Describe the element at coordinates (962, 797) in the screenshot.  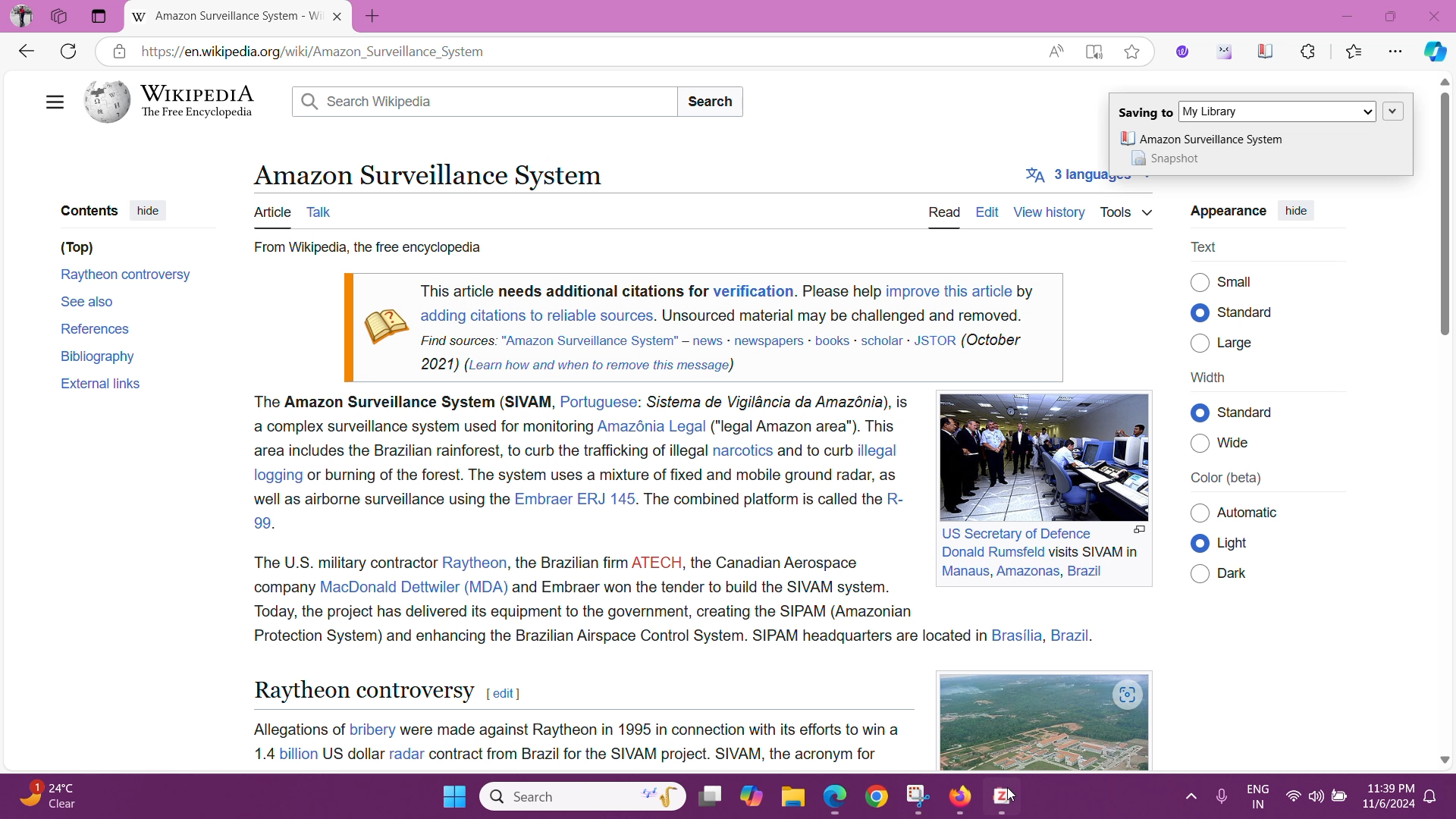
I see `Firefox browser` at that location.